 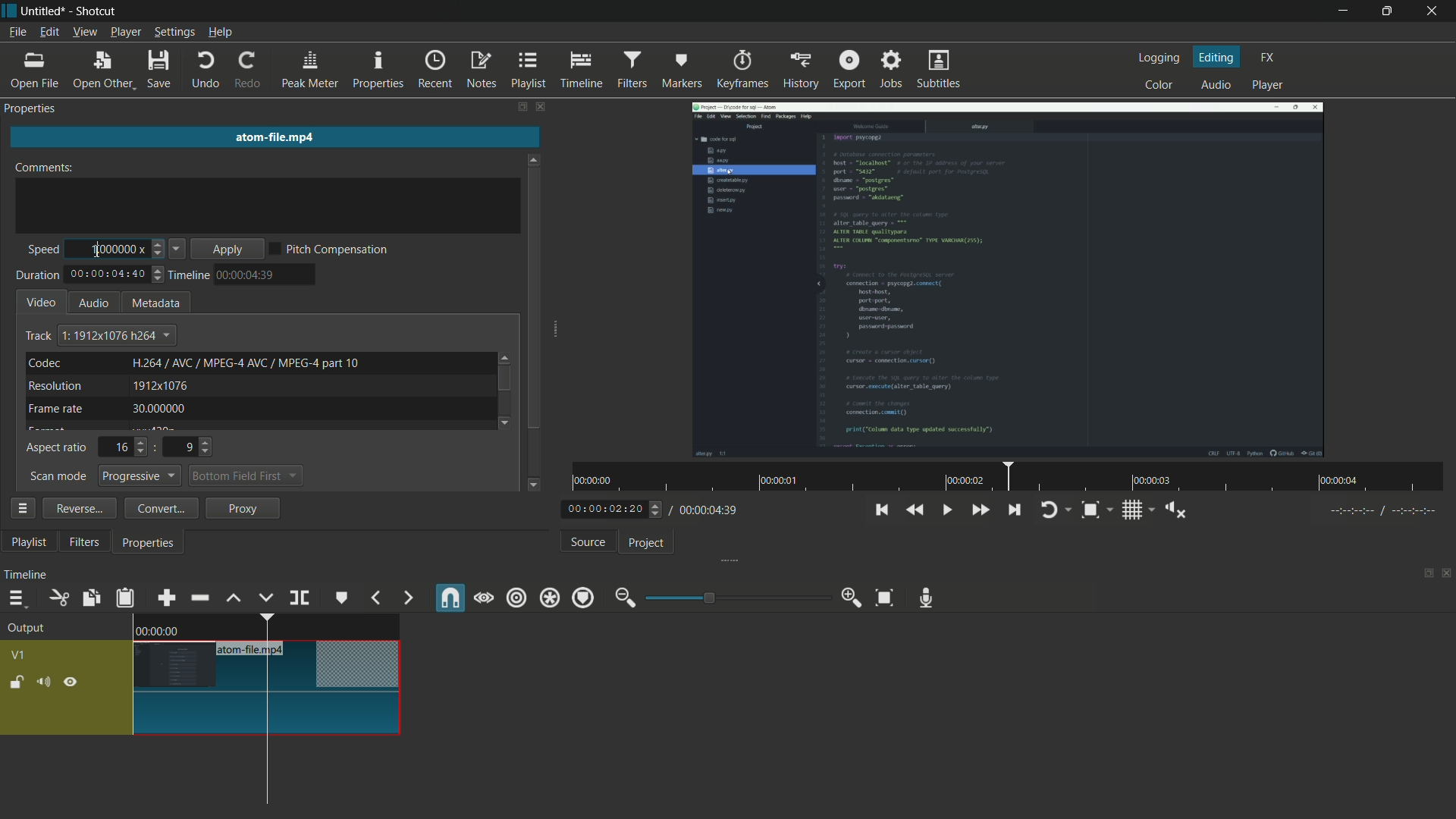 I want to click on cursor, so click(x=98, y=251).